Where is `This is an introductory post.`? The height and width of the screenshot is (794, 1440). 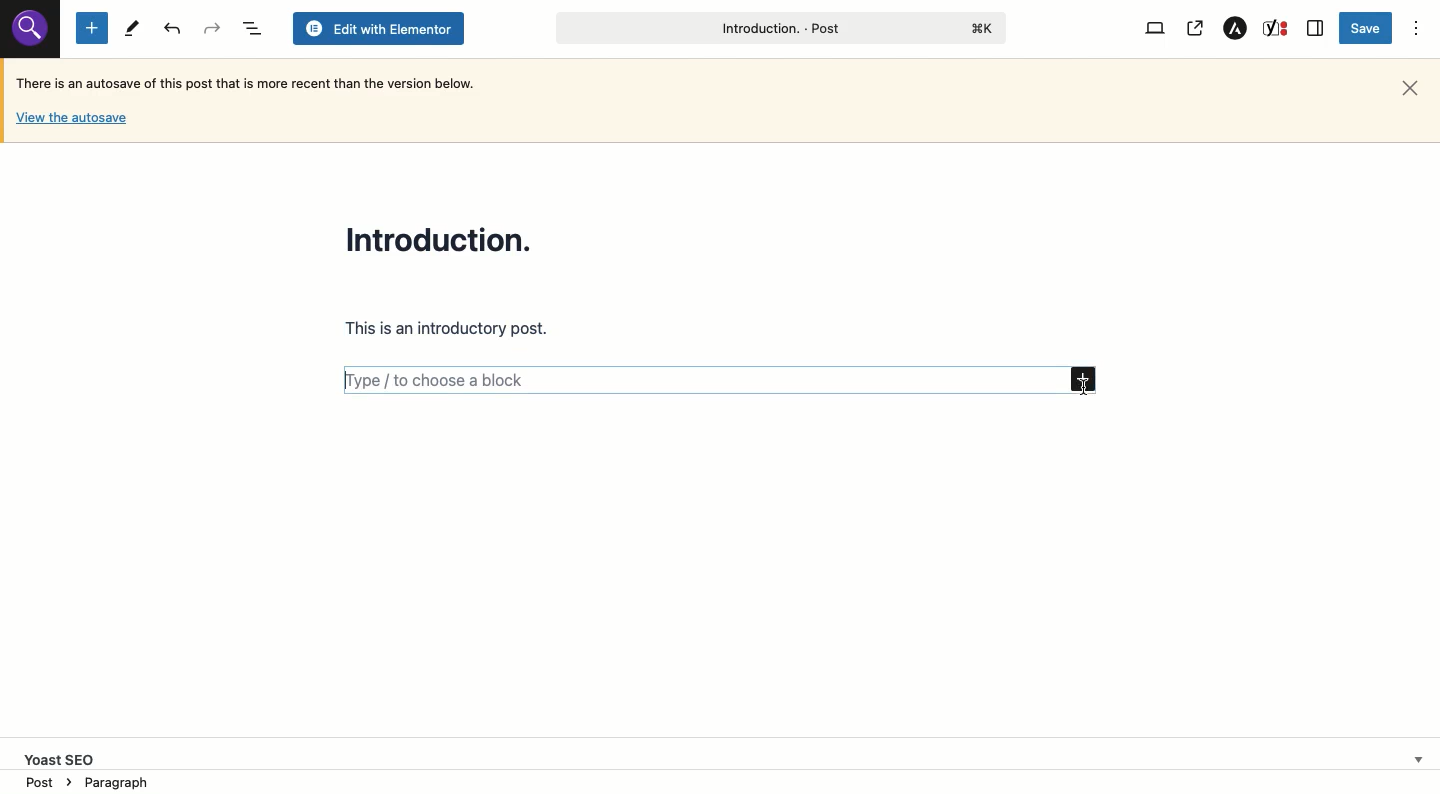
This is an introductory post. is located at coordinates (449, 330).